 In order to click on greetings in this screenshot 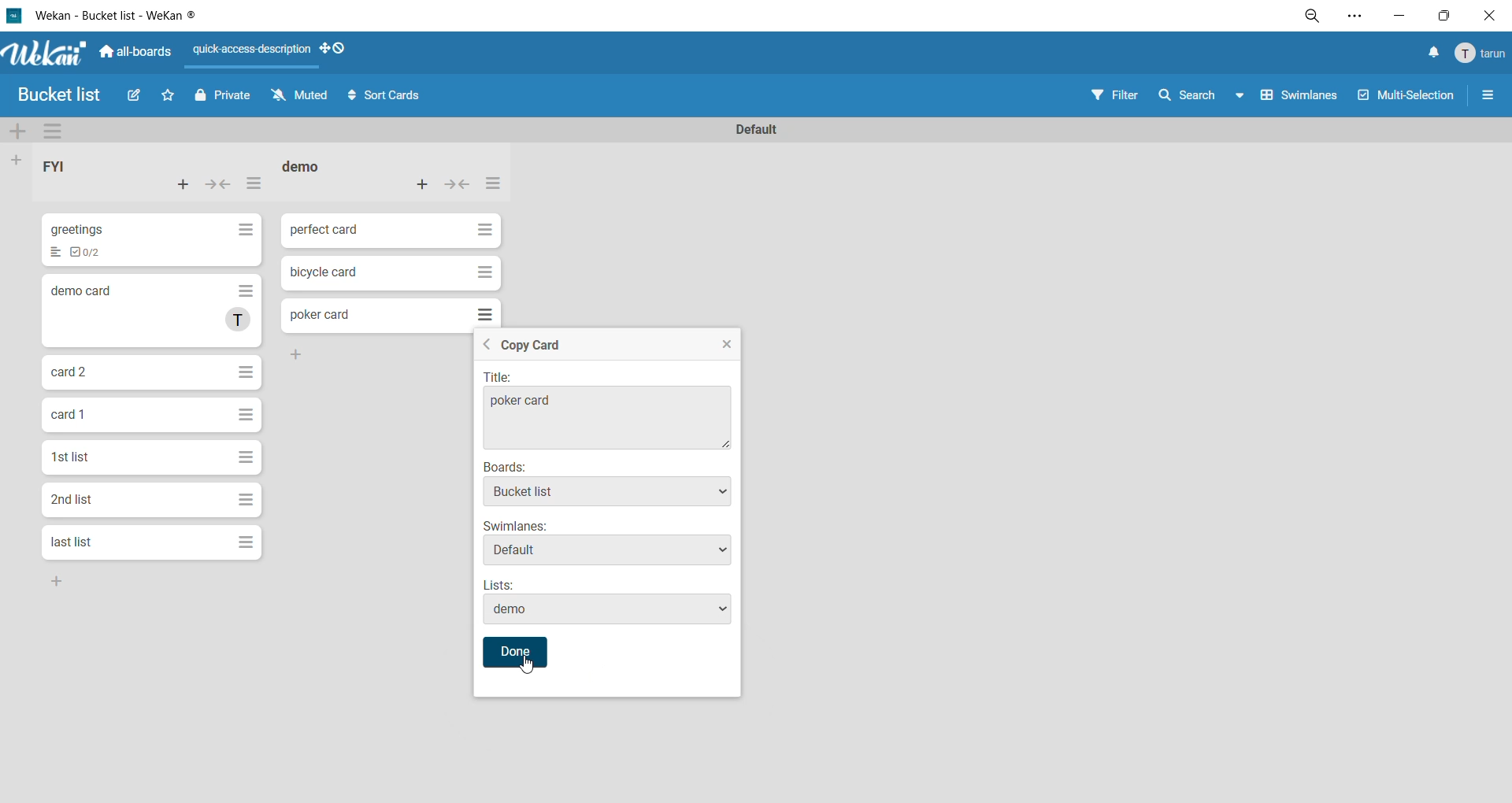, I will do `click(78, 229)`.